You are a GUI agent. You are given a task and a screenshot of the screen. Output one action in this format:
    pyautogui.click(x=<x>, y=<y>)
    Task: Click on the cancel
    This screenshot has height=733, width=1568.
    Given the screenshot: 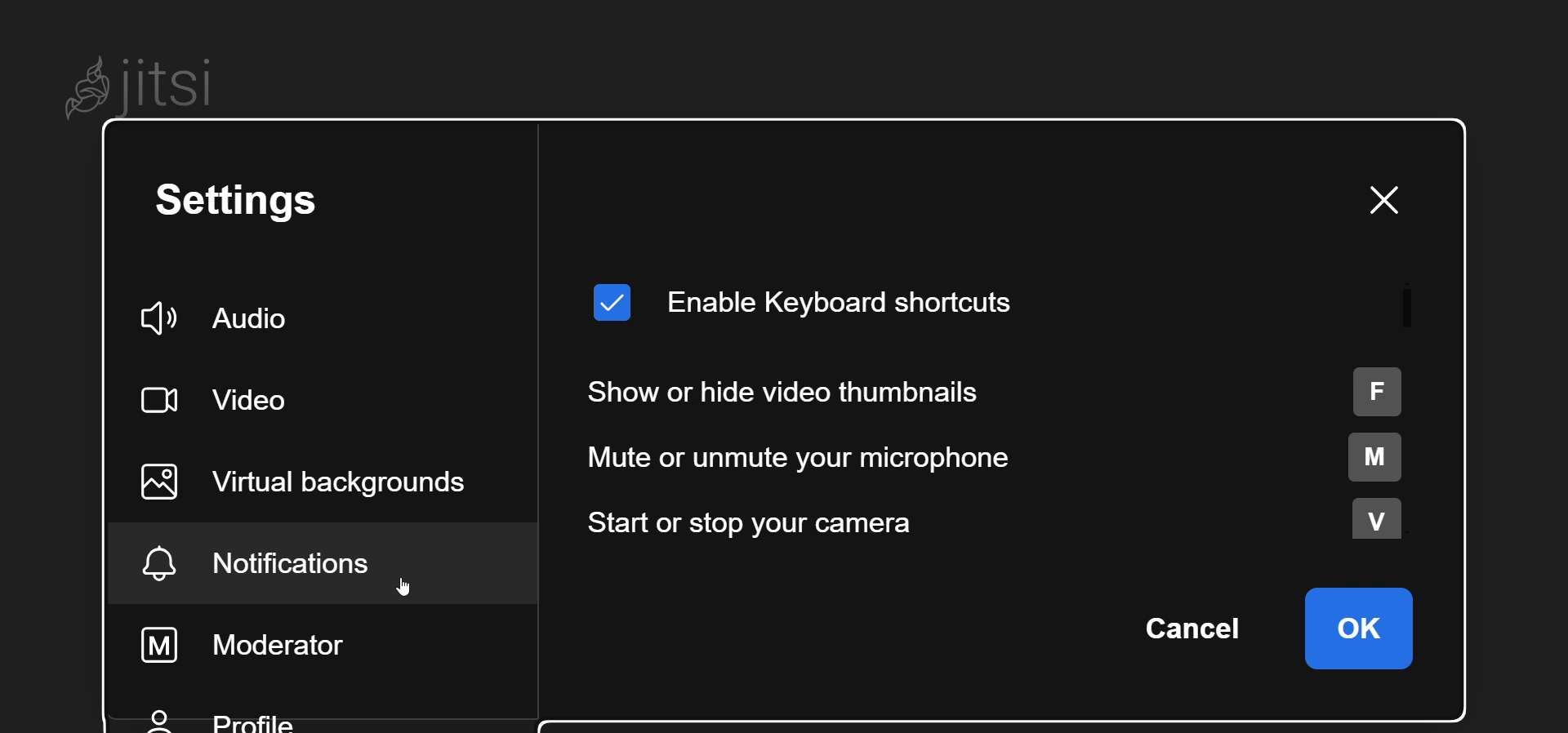 What is the action you would take?
    pyautogui.click(x=1191, y=632)
    